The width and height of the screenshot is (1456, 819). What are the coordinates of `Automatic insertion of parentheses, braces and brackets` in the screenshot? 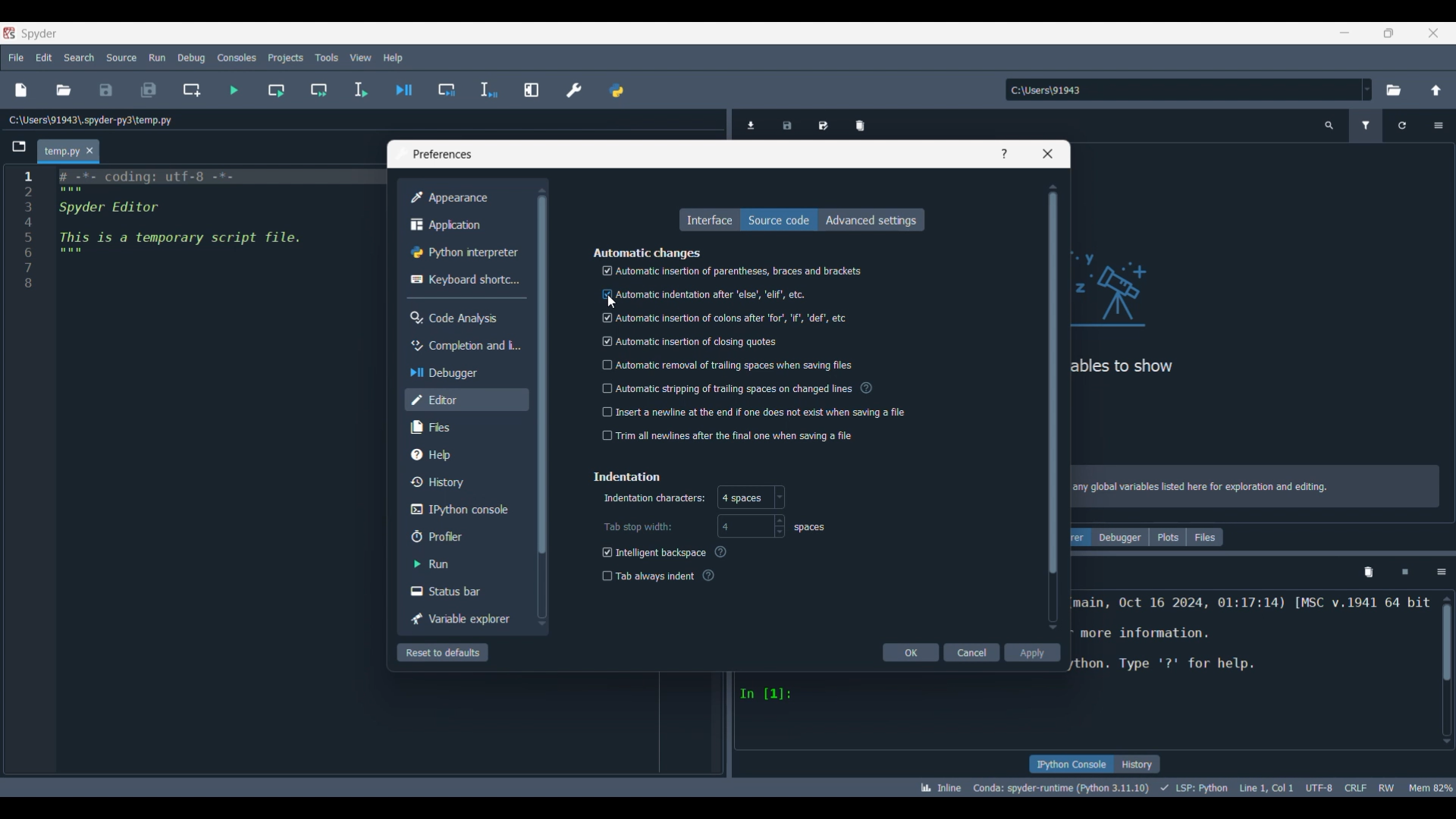 It's located at (730, 271).